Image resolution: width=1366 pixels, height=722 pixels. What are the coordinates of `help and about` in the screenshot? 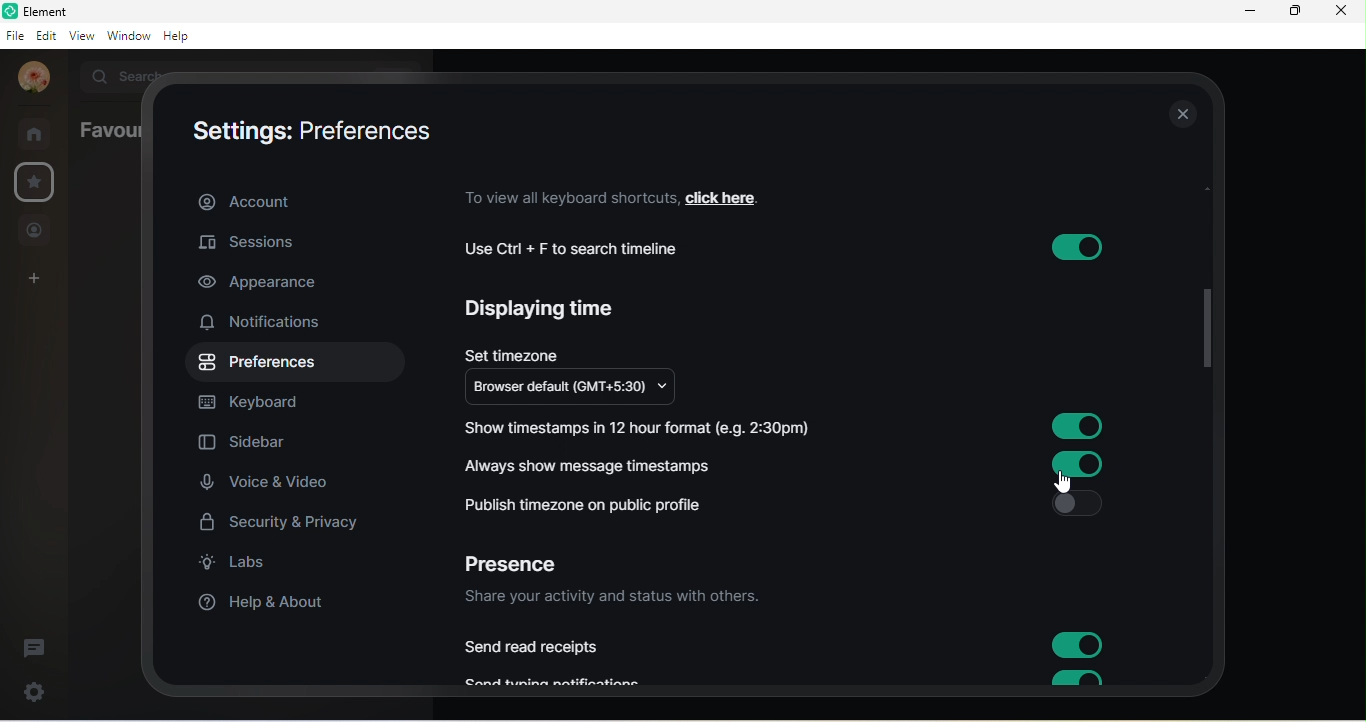 It's located at (263, 605).